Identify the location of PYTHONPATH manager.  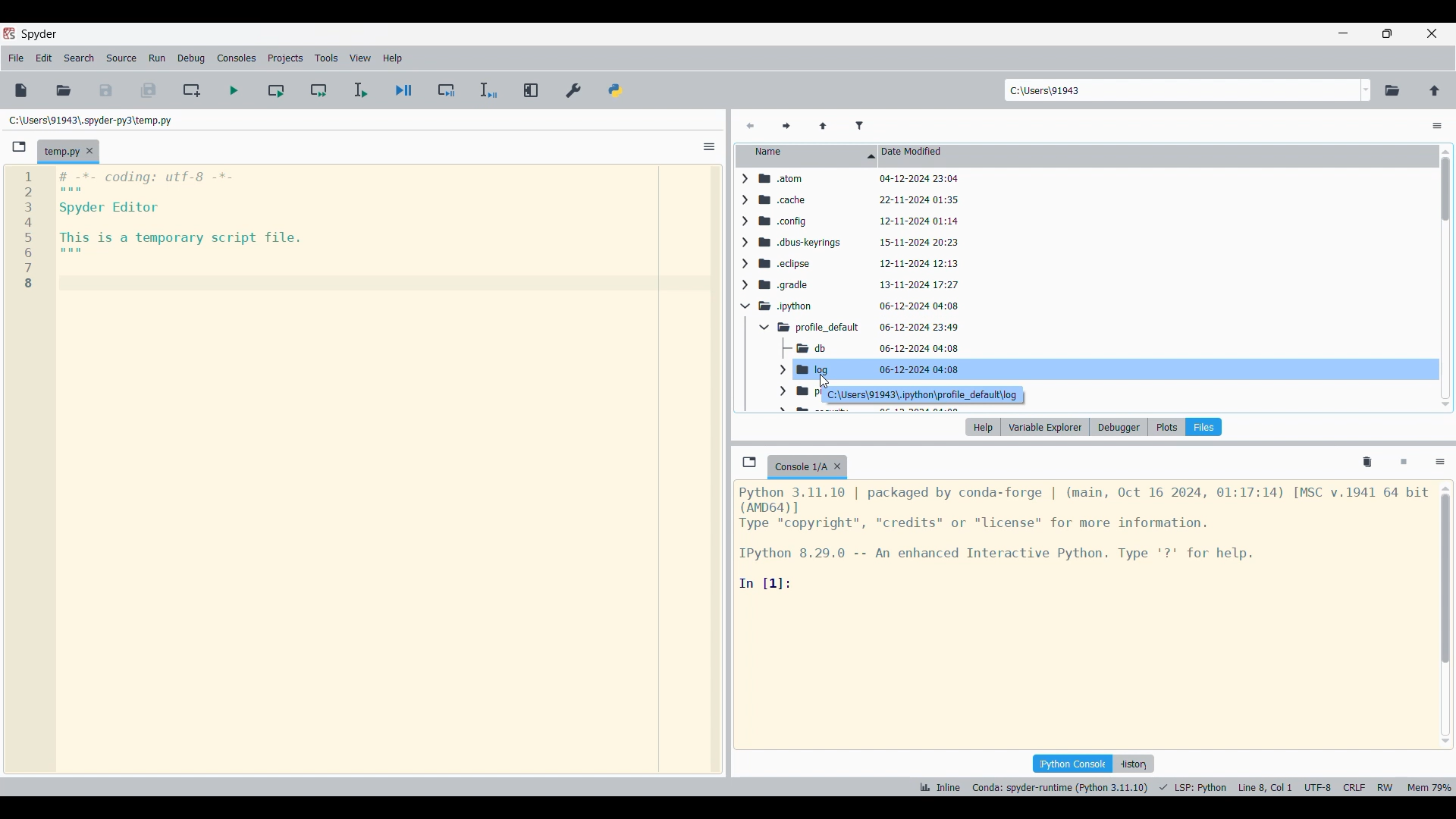
(616, 91).